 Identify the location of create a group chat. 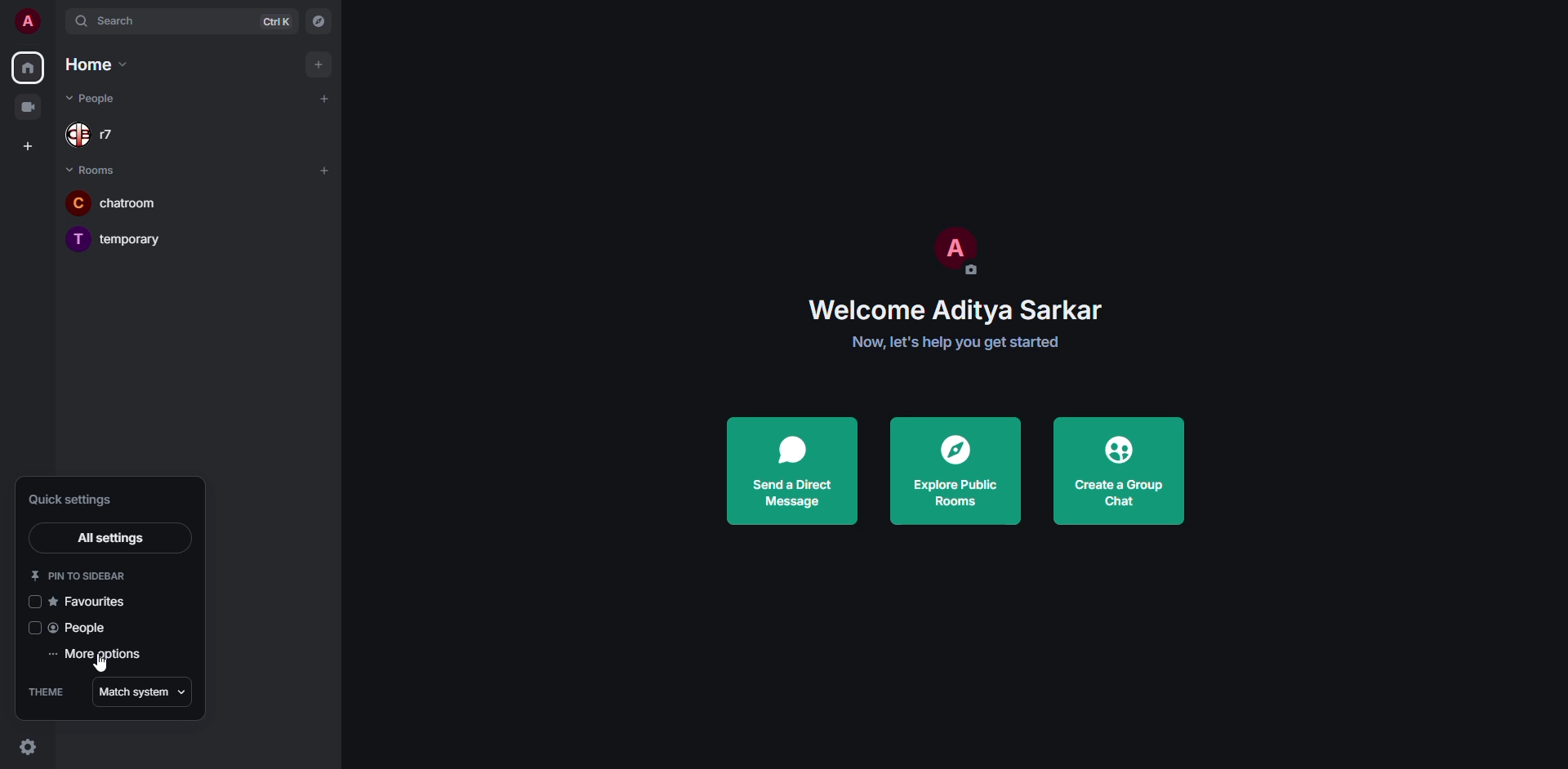
(1119, 471).